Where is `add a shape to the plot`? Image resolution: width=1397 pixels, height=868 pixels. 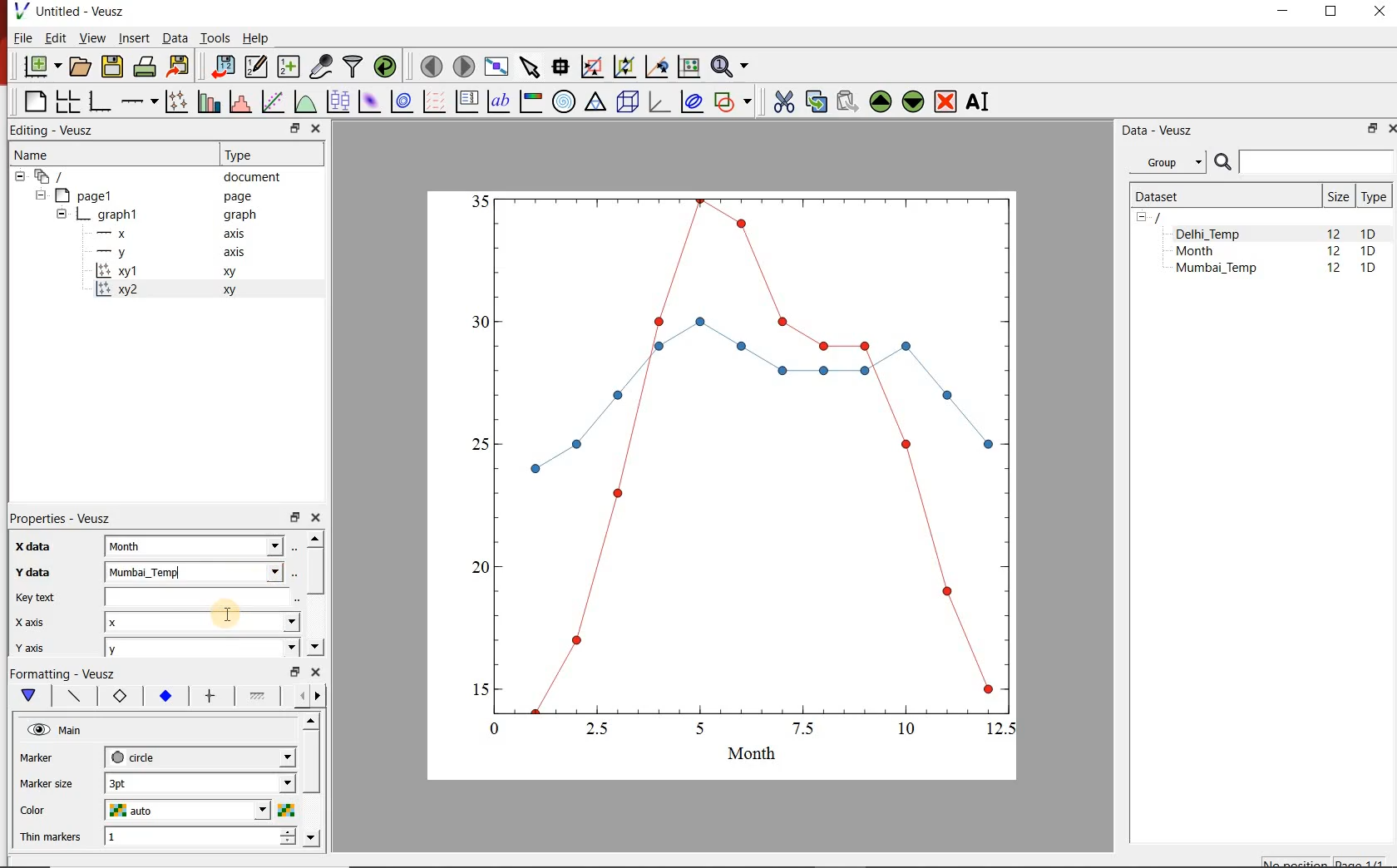
add a shape to the plot is located at coordinates (733, 103).